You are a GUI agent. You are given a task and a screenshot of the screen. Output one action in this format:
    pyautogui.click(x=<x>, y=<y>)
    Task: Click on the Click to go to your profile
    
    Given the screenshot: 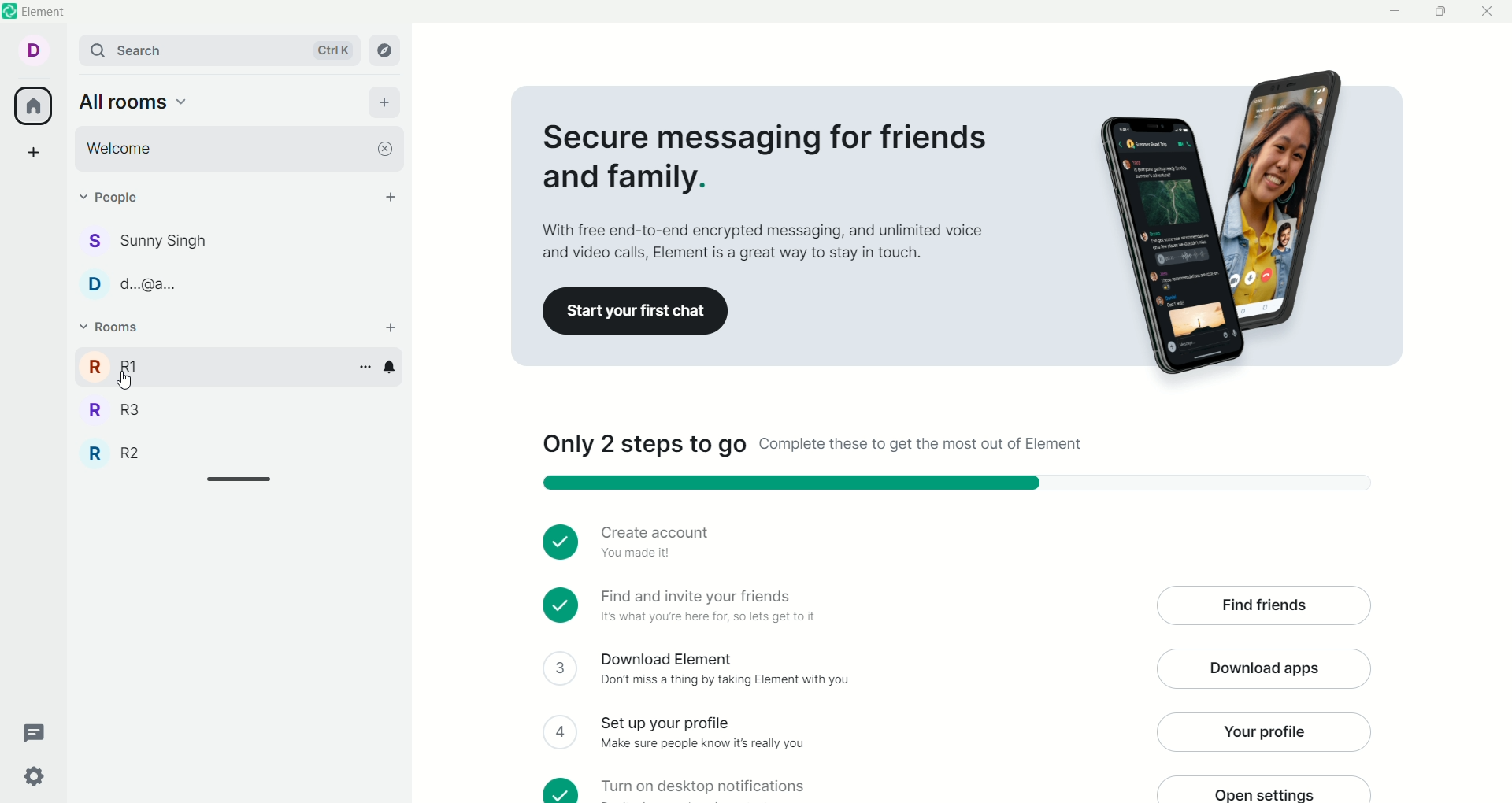 What is the action you would take?
    pyautogui.click(x=1263, y=732)
    